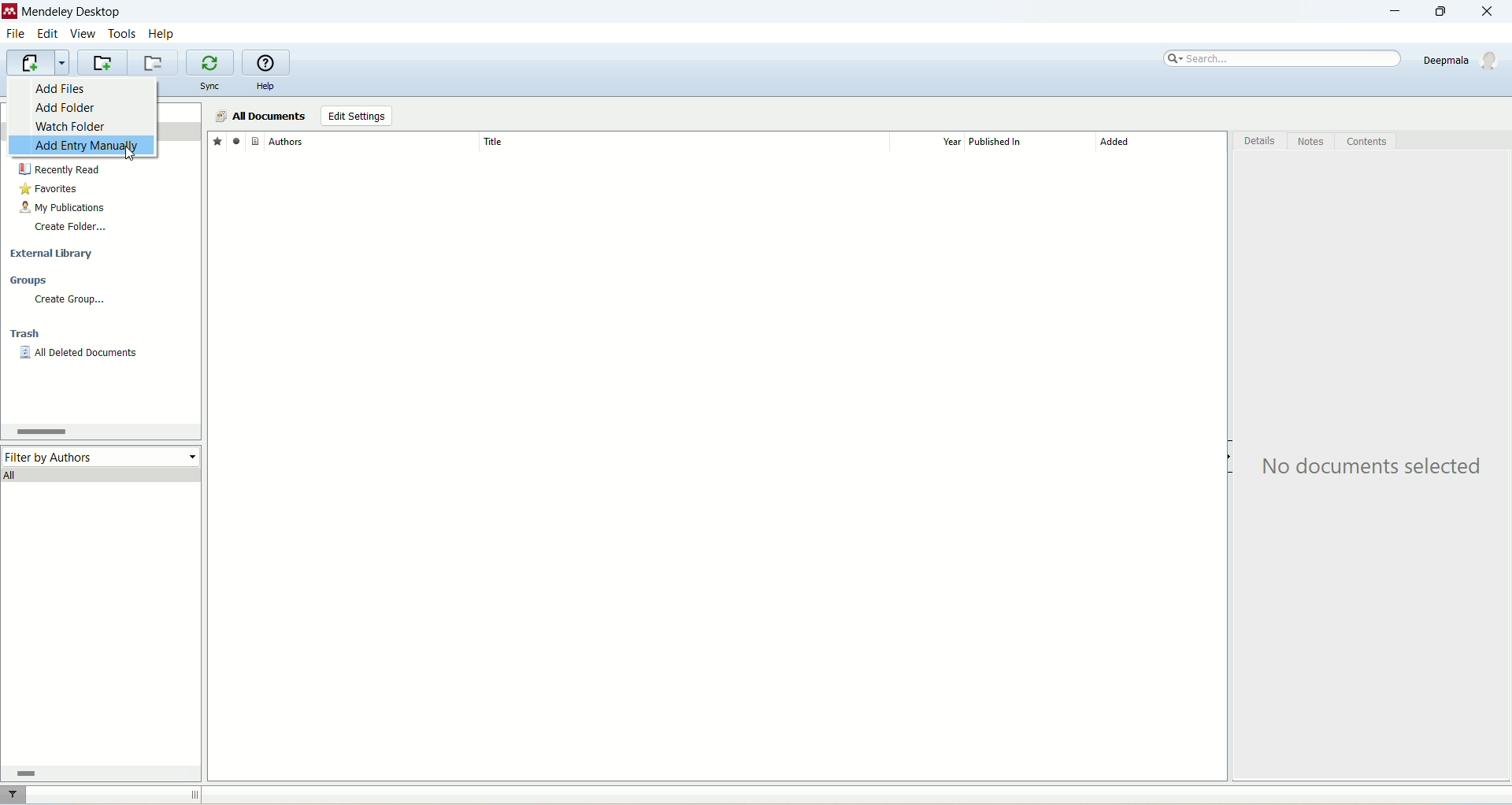 The image size is (1512, 805). Describe the element at coordinates (1284, 59) in the screenshot. I see `search` at that location.